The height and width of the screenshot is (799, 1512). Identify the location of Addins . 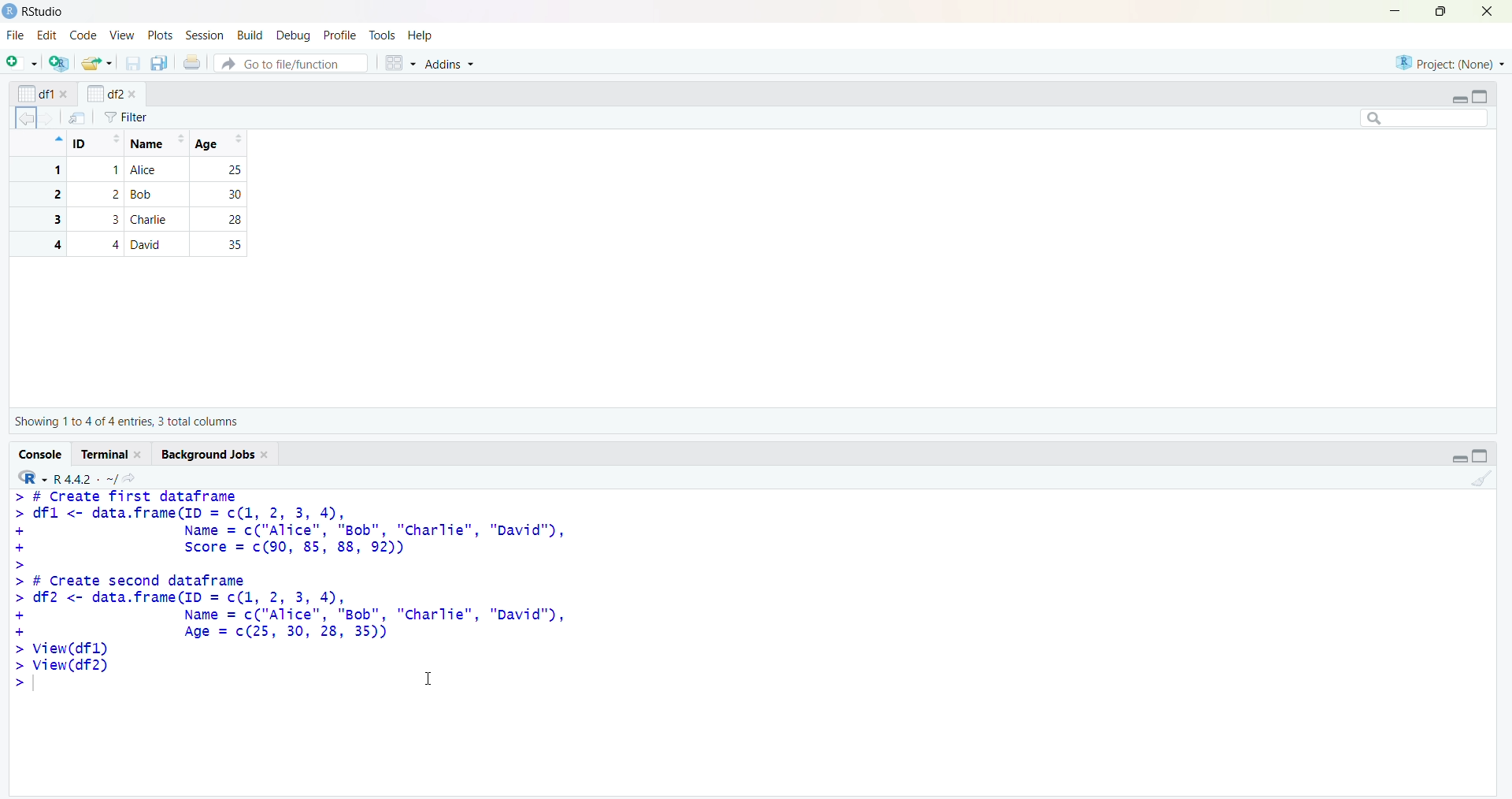
(448, 63).